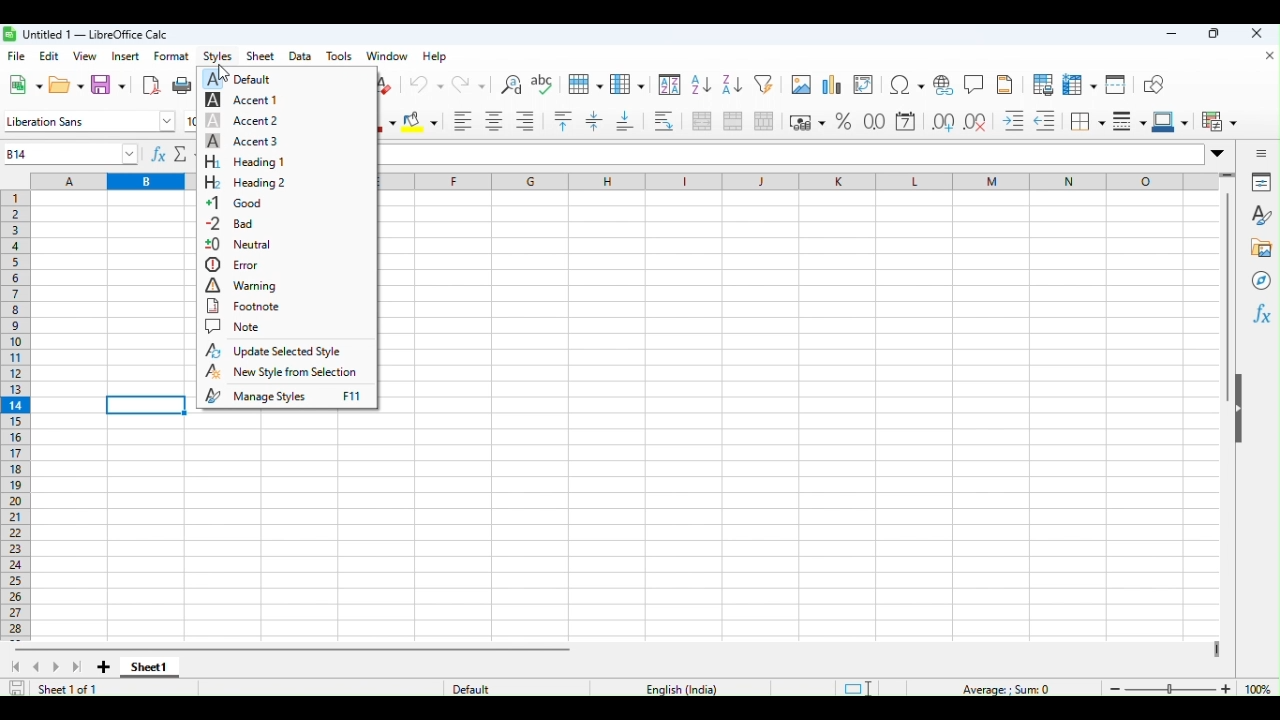 The image size is (1280, 720). I want to click on m, so click(990, 180).